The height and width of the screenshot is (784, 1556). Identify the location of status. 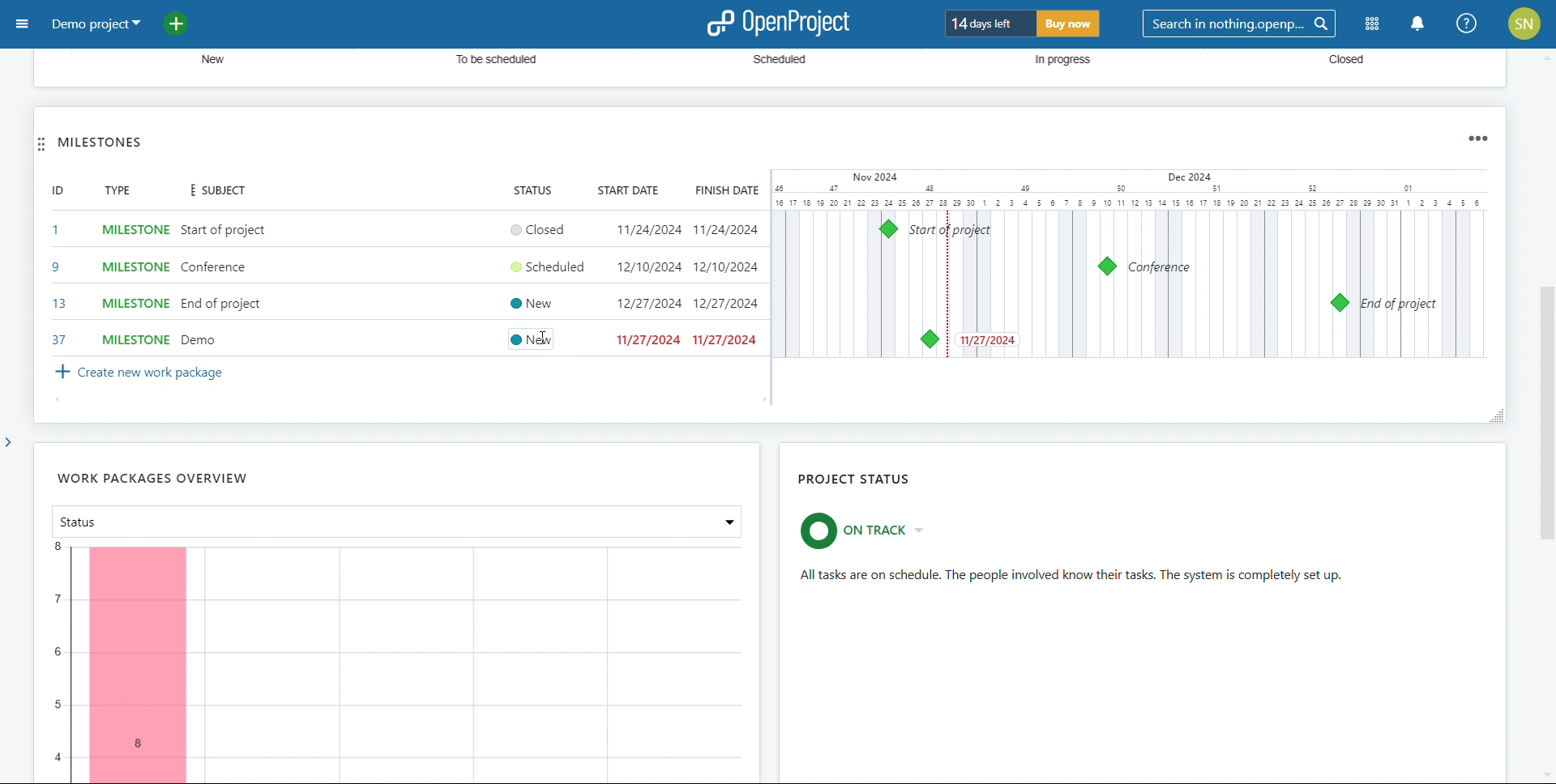
(530, 191).